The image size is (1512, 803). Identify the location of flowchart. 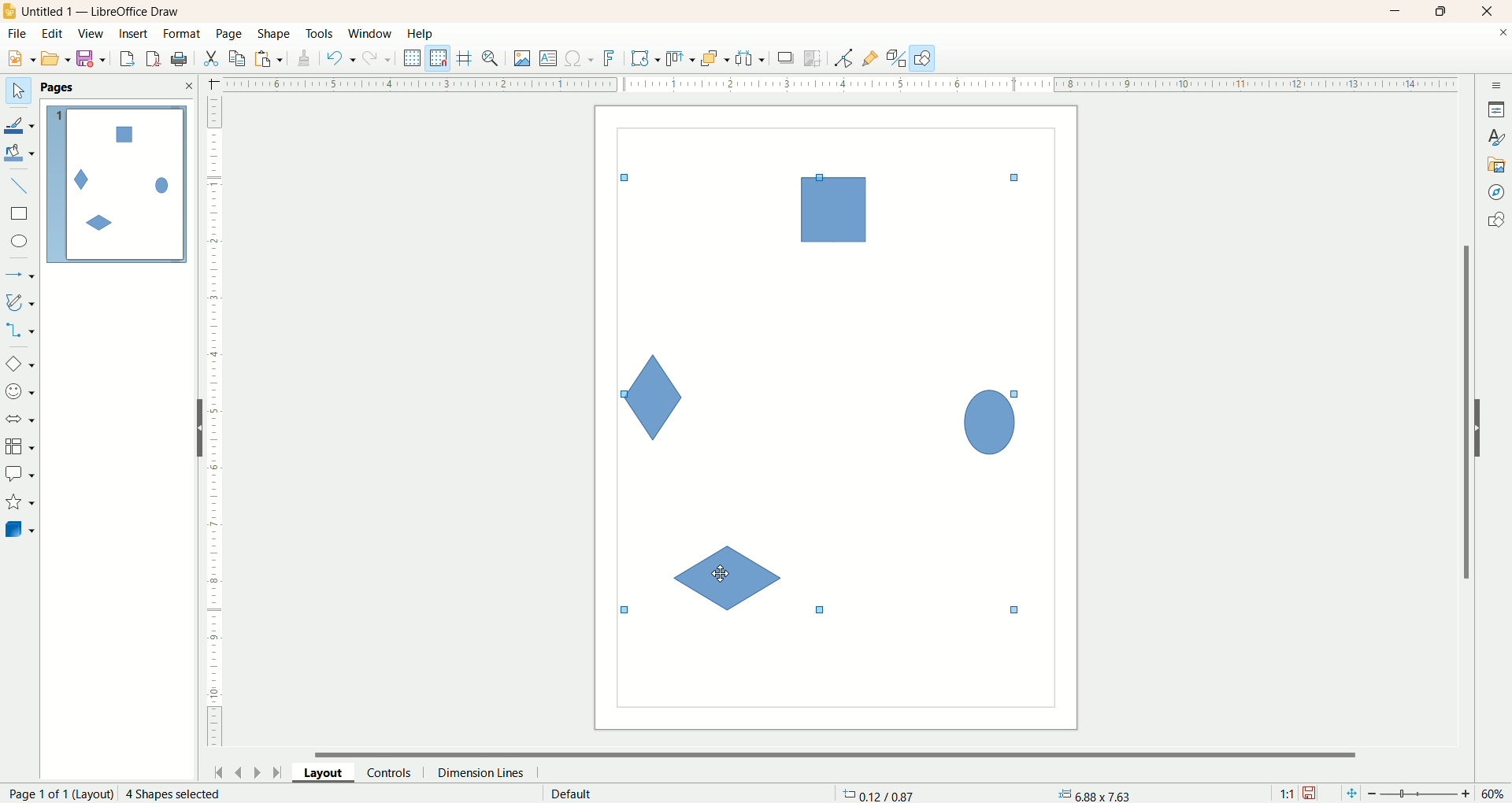
(20, 447).